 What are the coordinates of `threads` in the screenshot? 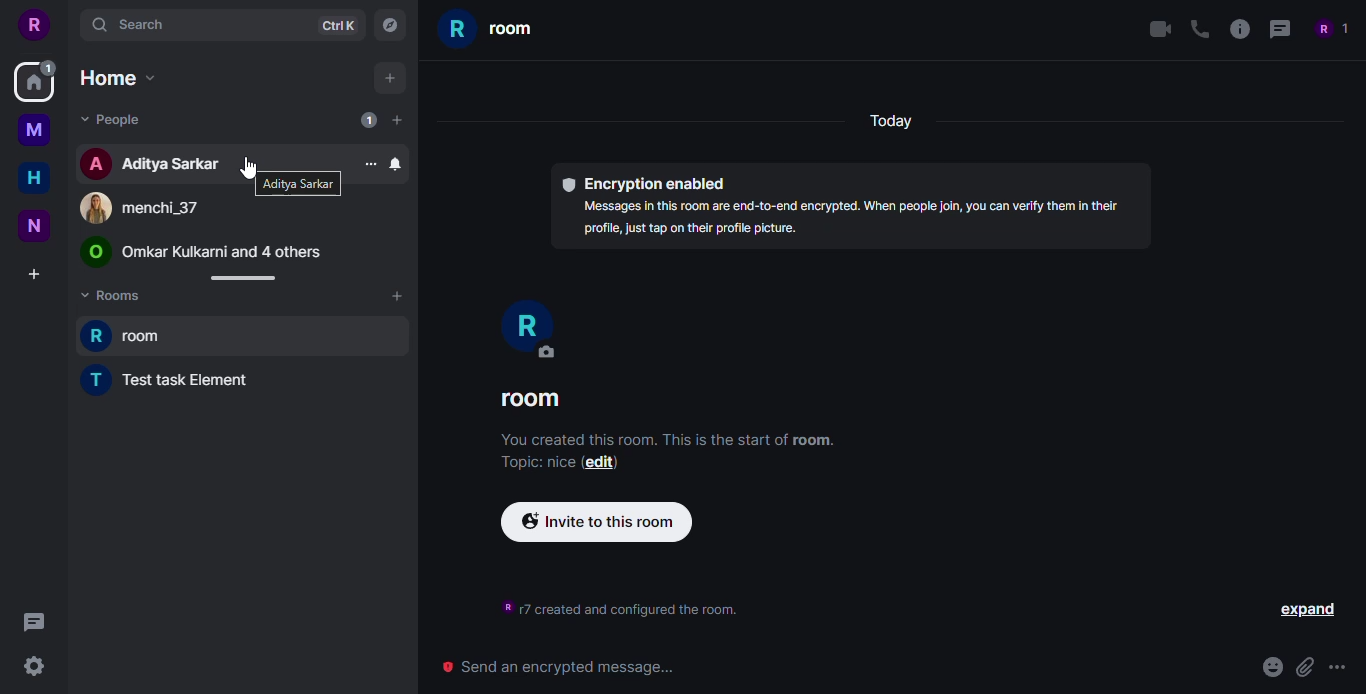 It's located at (1279, 29).